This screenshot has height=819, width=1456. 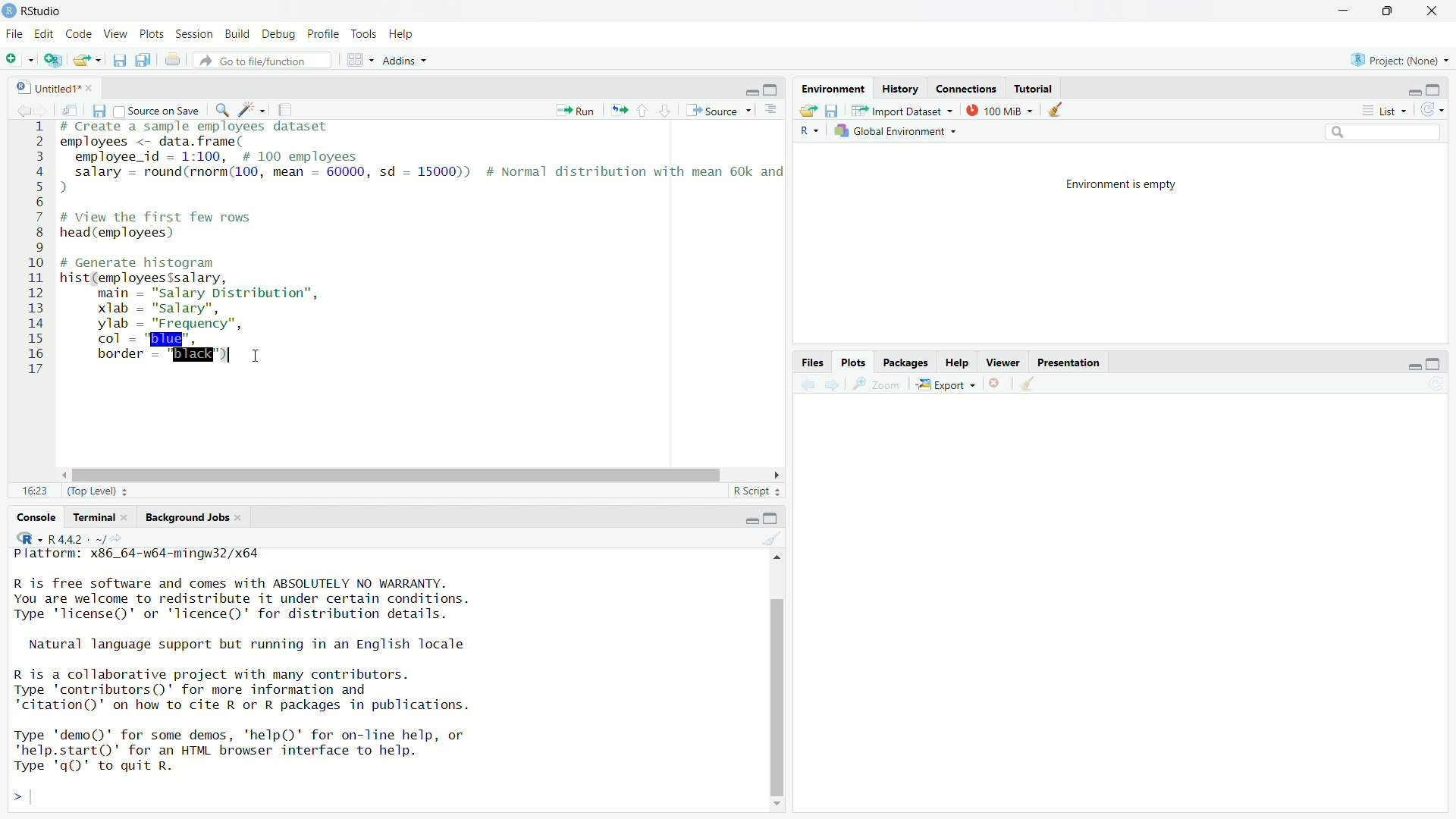 I want to click on Edit , so click(x=253, y=108).